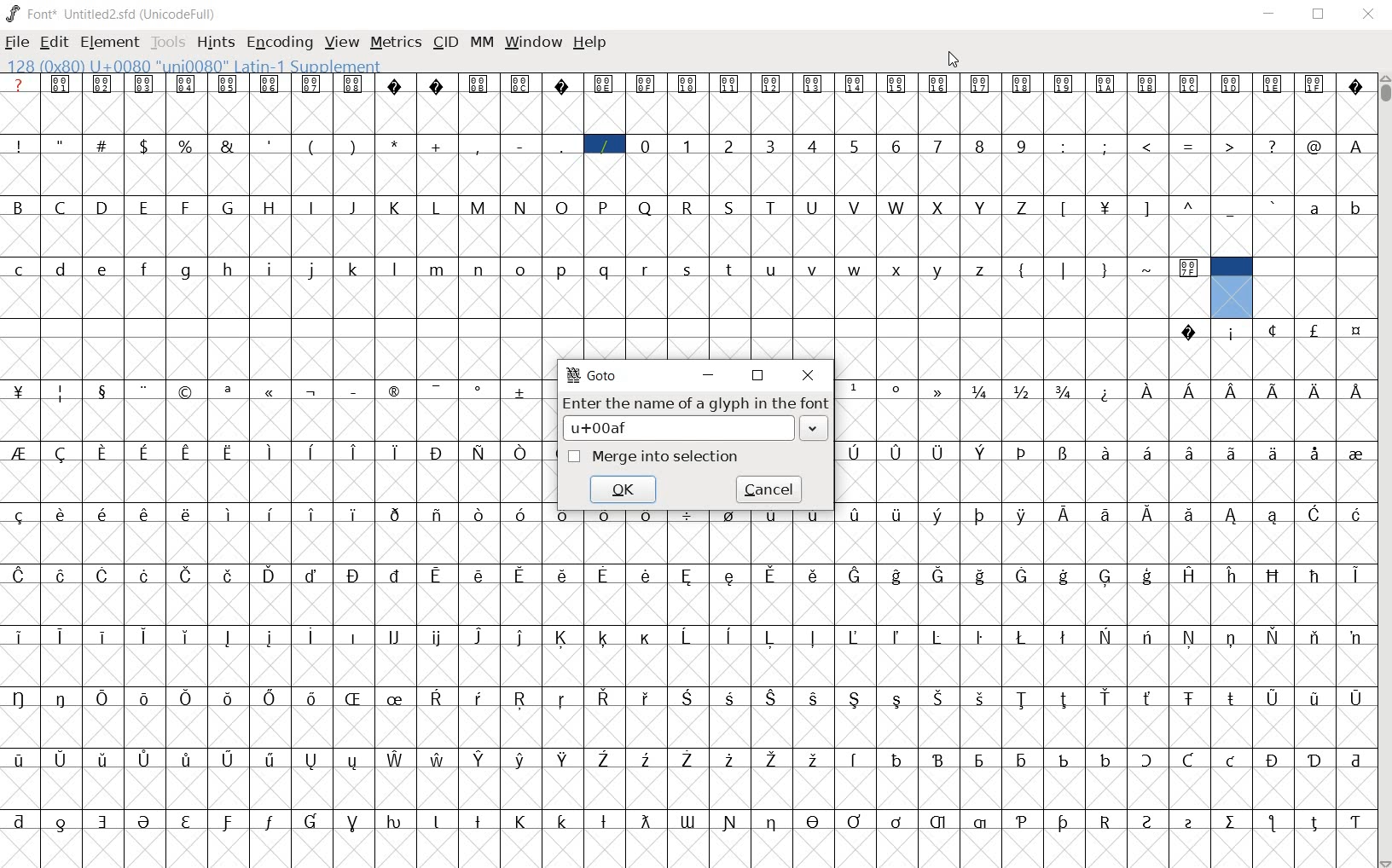 The width and height of the screenshot is (1392, 868). What do you see at coordinates (356, 513) in the screenshot?
I see `Symbol` at bounding box center [356, 513].